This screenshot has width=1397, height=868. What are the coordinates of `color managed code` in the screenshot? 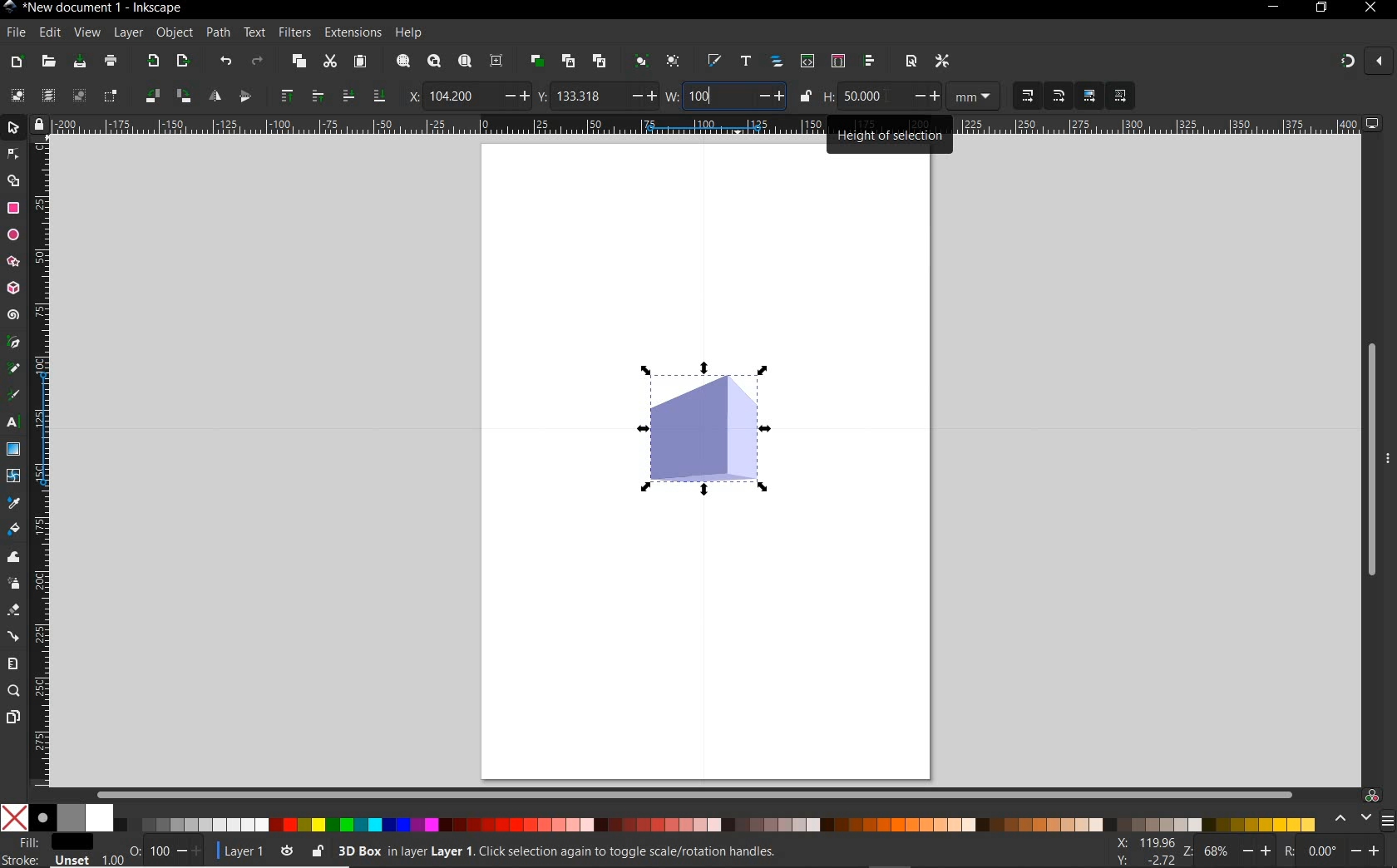 It's located at (1372, 796).